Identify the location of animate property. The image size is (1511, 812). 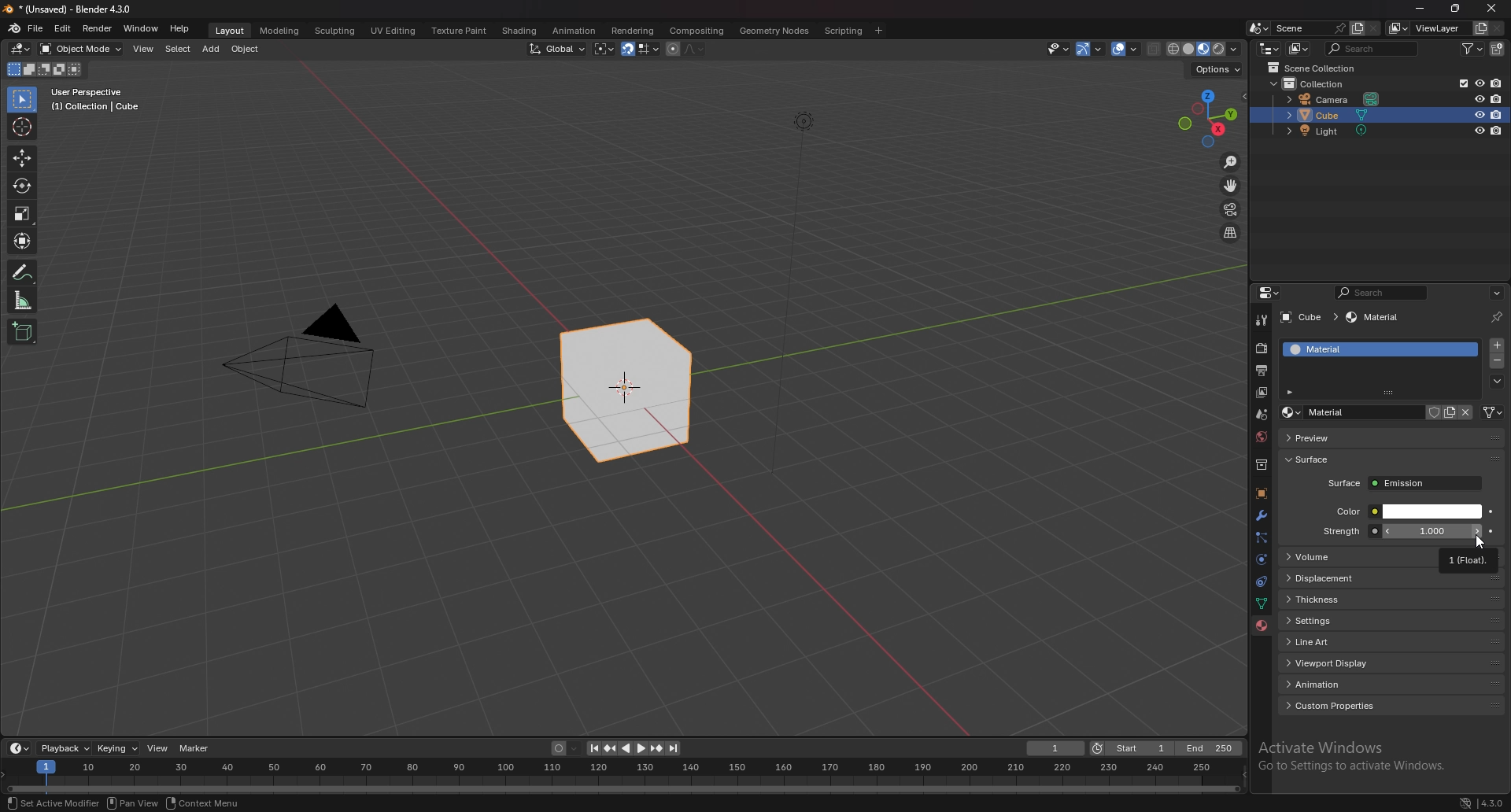
(1491, 531).